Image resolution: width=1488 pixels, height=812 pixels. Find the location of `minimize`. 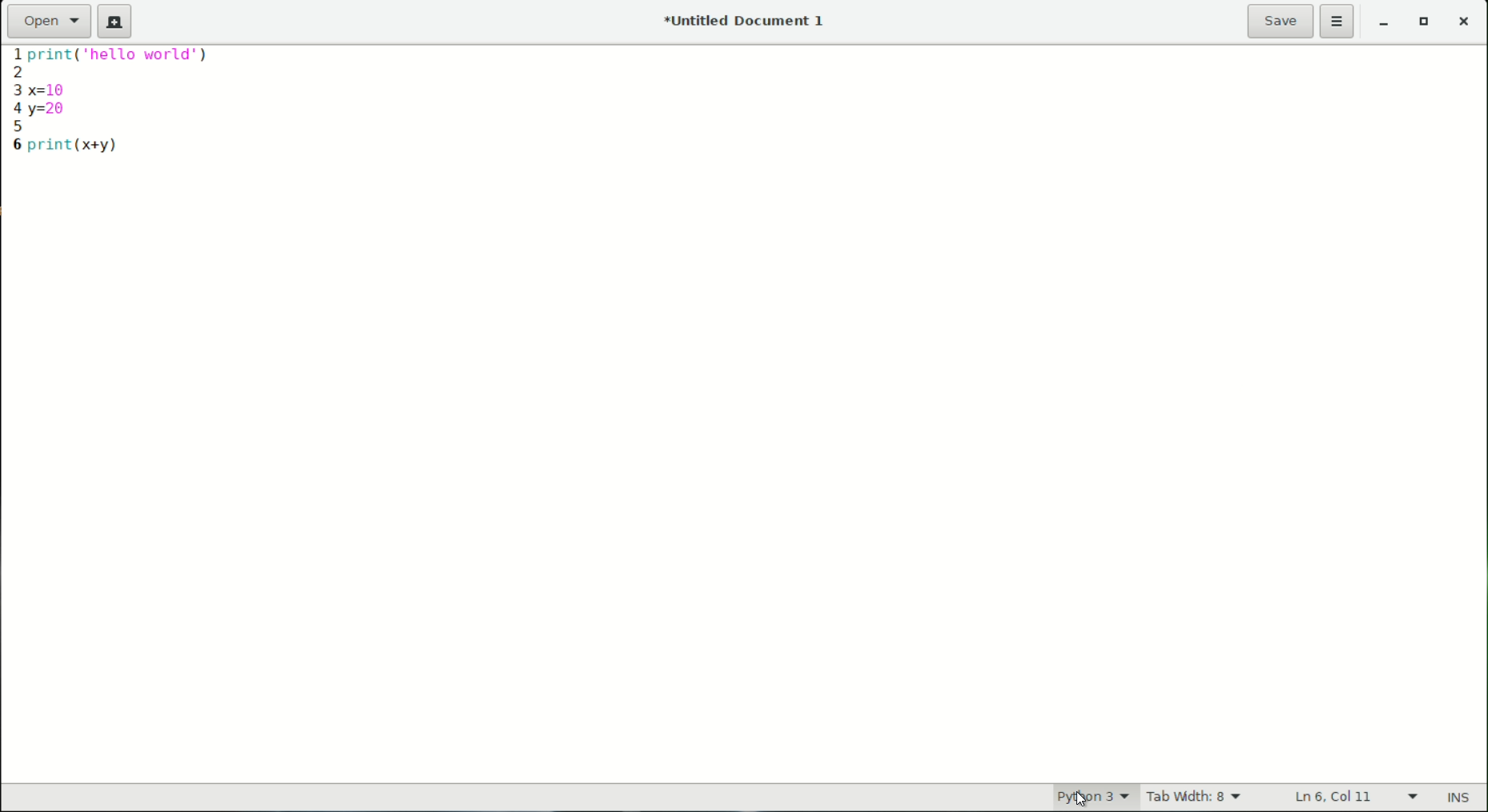

minimize is located at coordinates (1385, 24).